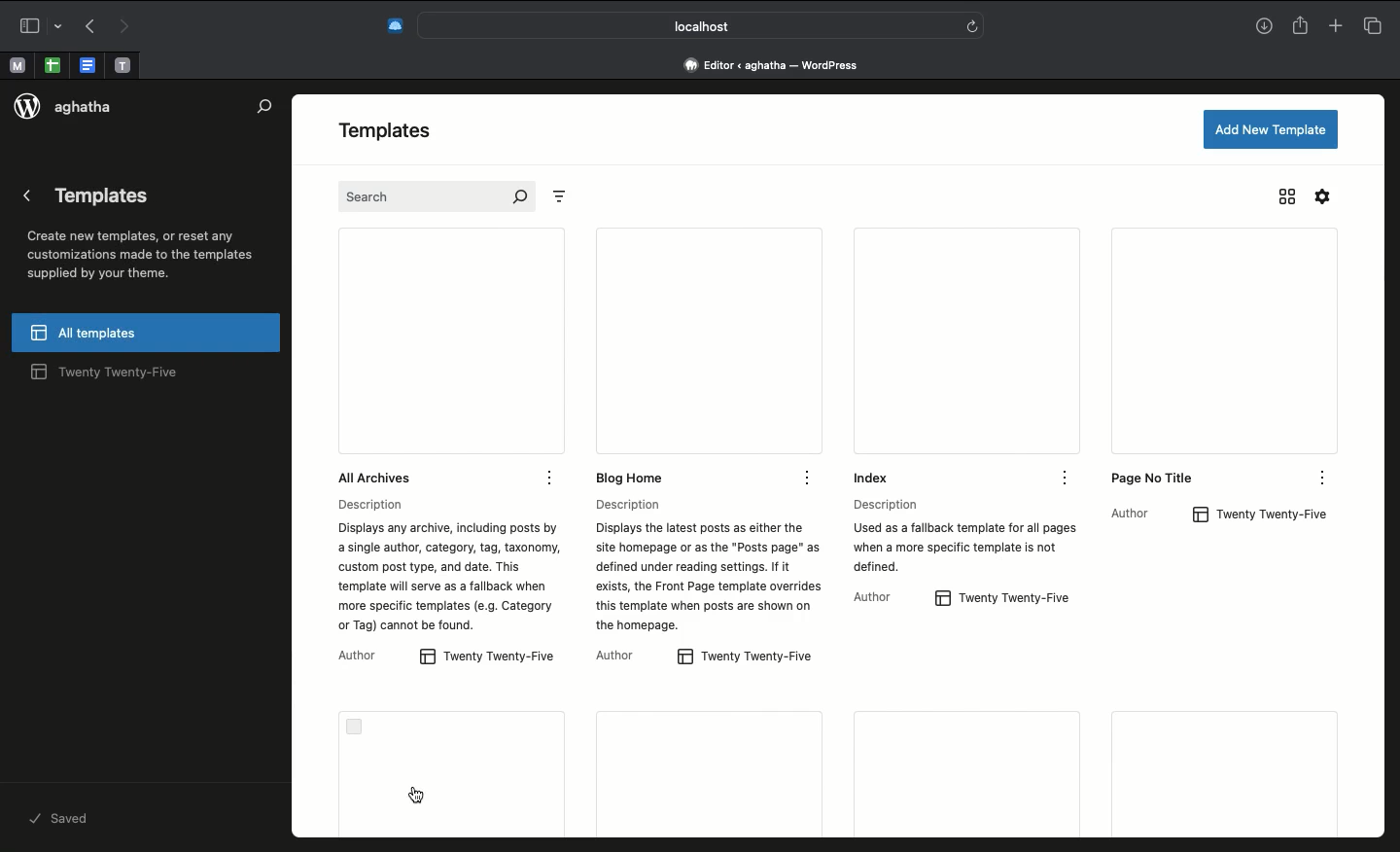 The width and height of the screenshot is (1400, 852). What do you see at coordinates (86, 108) in the screenshot?
I see `aghatha` at bounding box center [86, 108].